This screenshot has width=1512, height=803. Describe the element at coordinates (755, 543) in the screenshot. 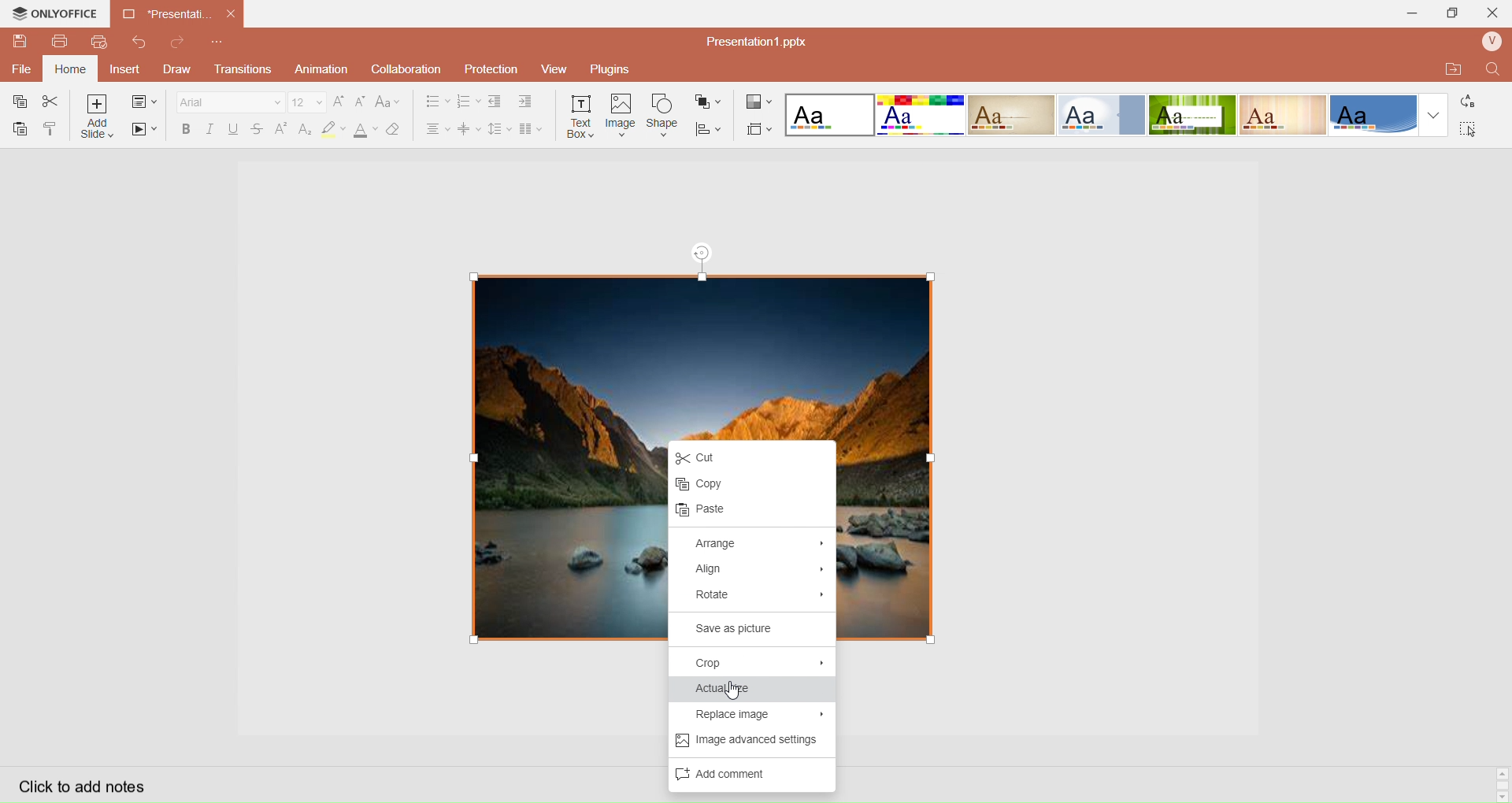

I see `Arrange` at that location.